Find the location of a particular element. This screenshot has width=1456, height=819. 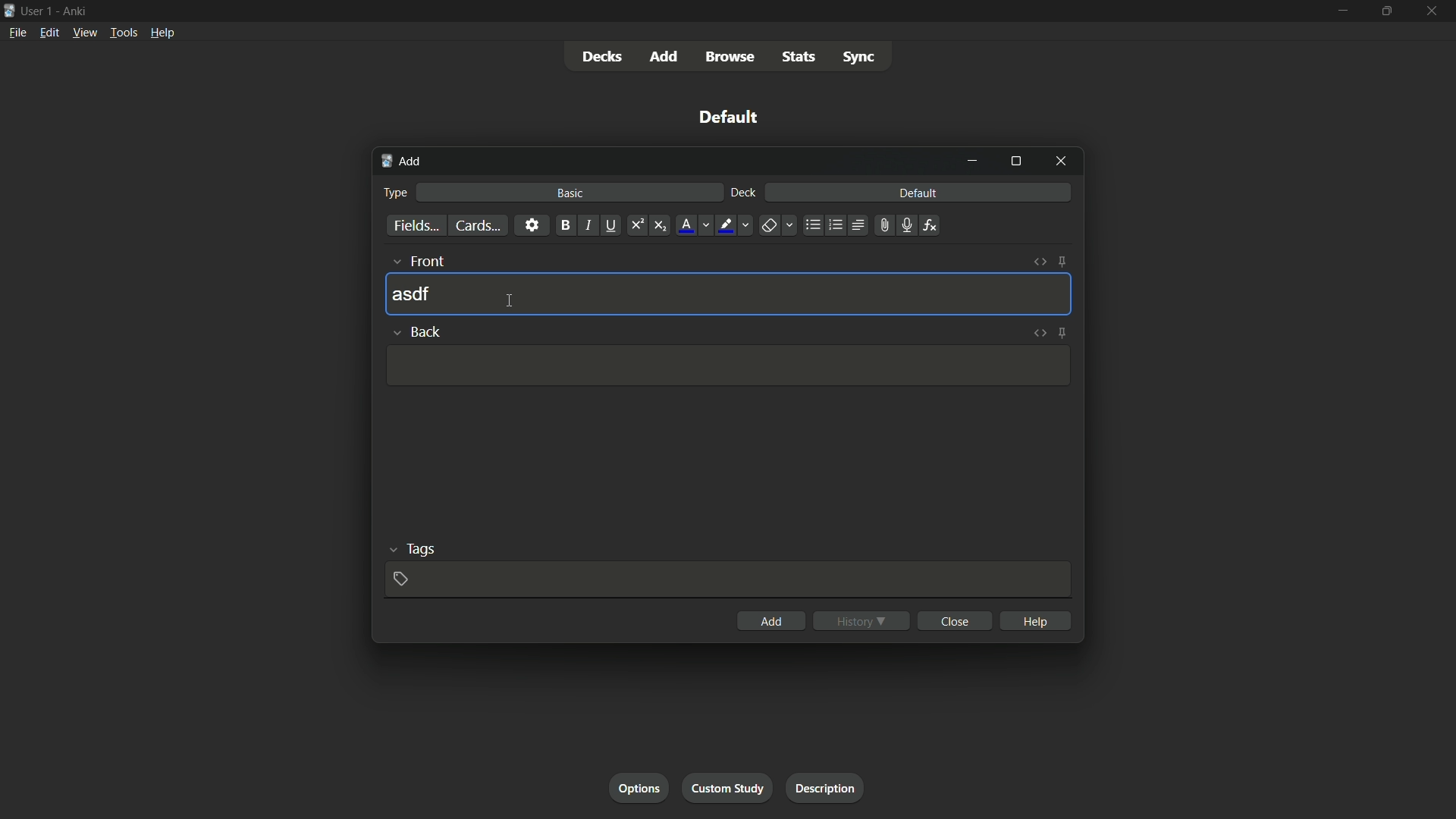

add tag is located at coordinates (401, 578).